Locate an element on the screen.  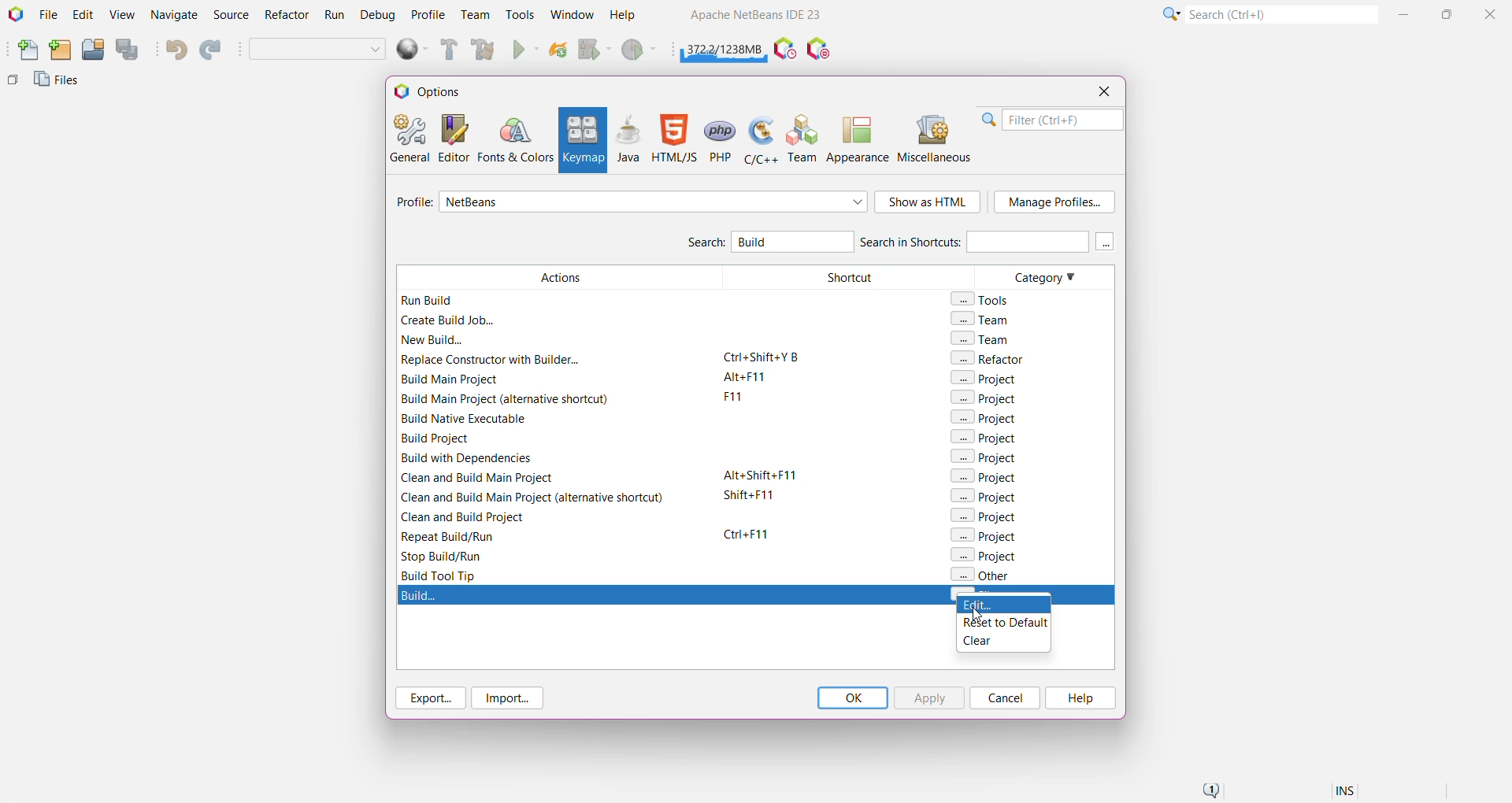
Keymap is located at coordinates (581, 140).